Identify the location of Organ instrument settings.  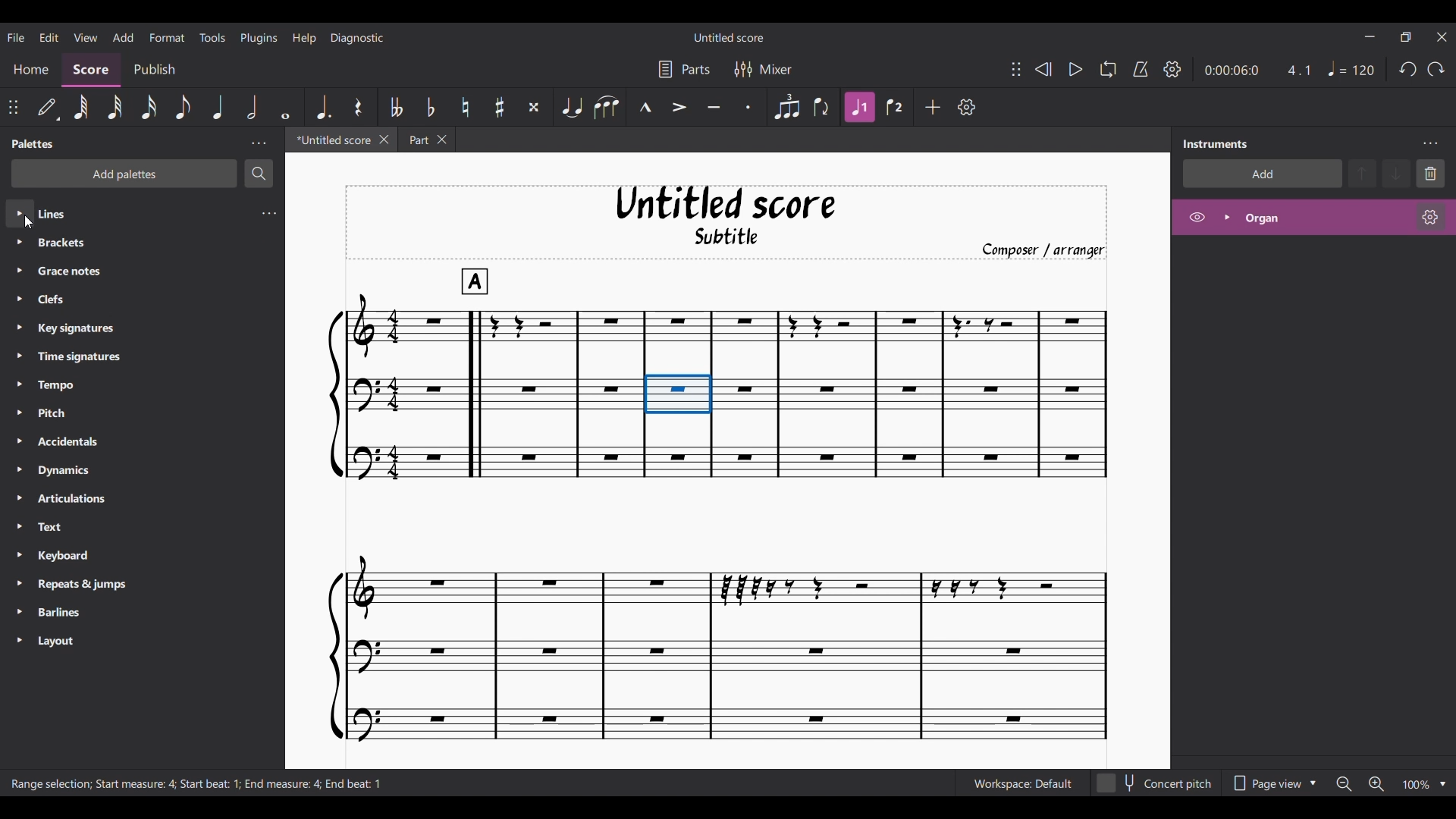
(1430, 218).